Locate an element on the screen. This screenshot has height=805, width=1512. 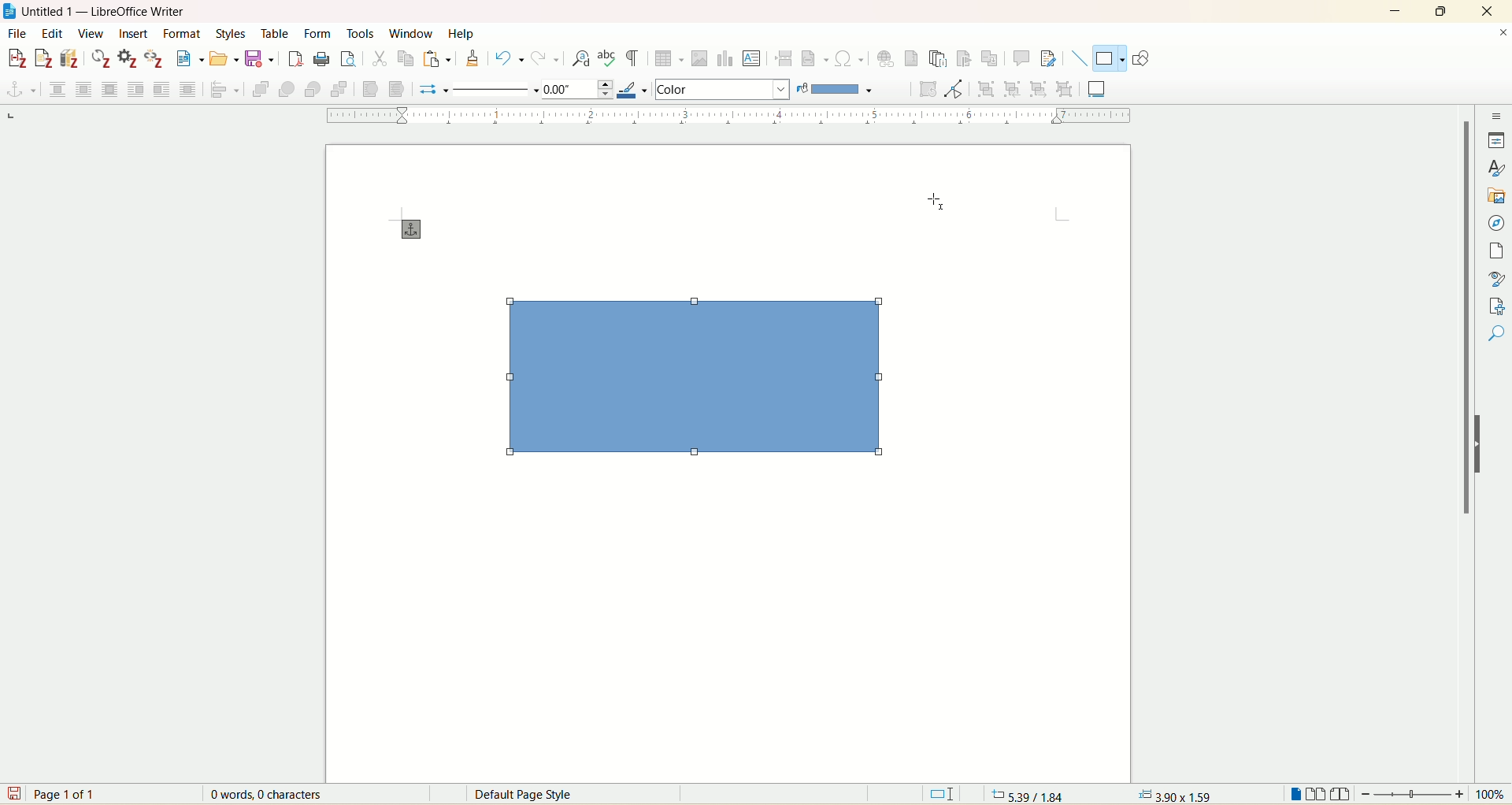
bring to front is located at coordinates (263, 89).